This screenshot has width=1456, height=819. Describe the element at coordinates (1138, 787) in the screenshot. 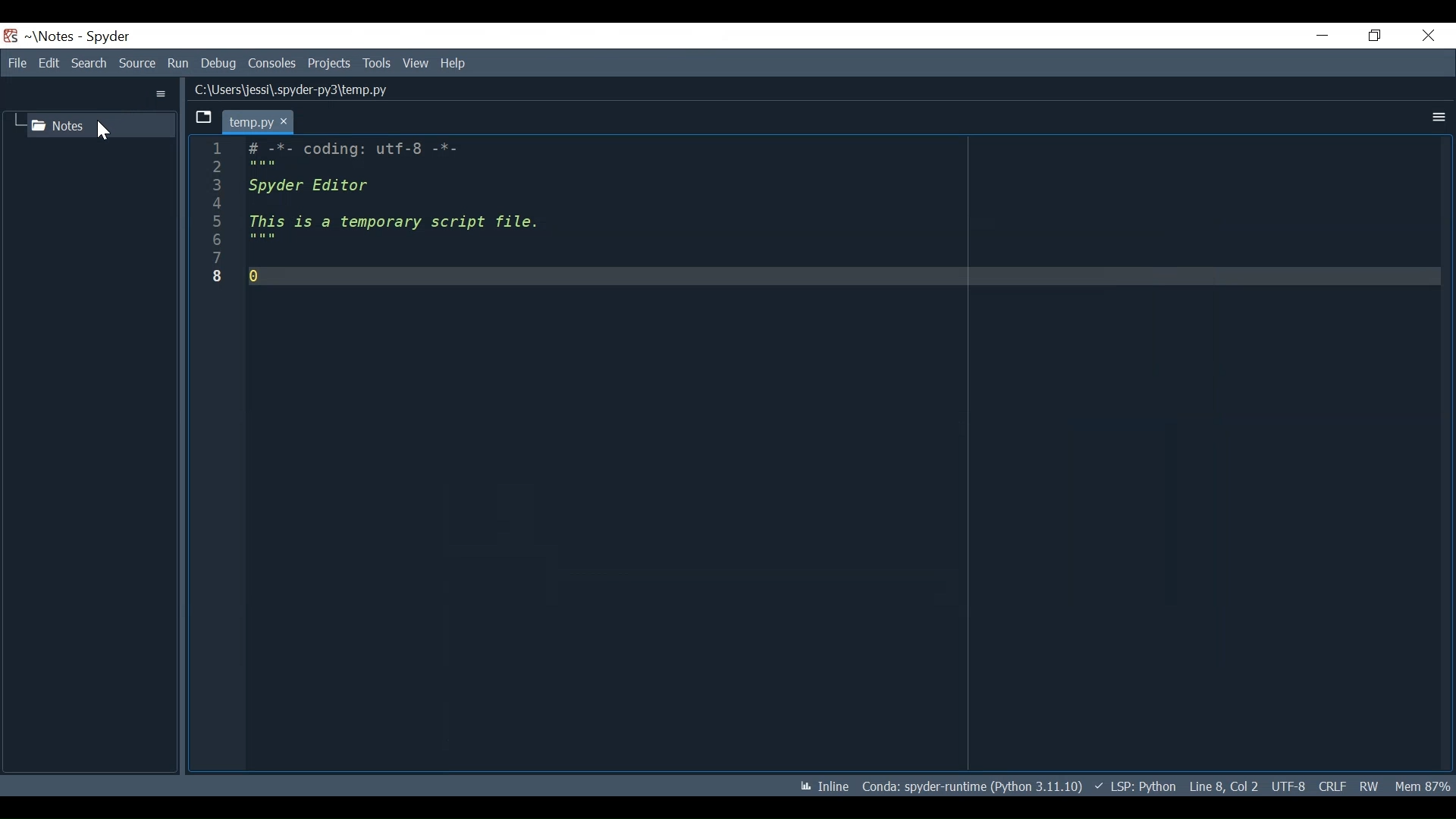

I see `language` at that location.